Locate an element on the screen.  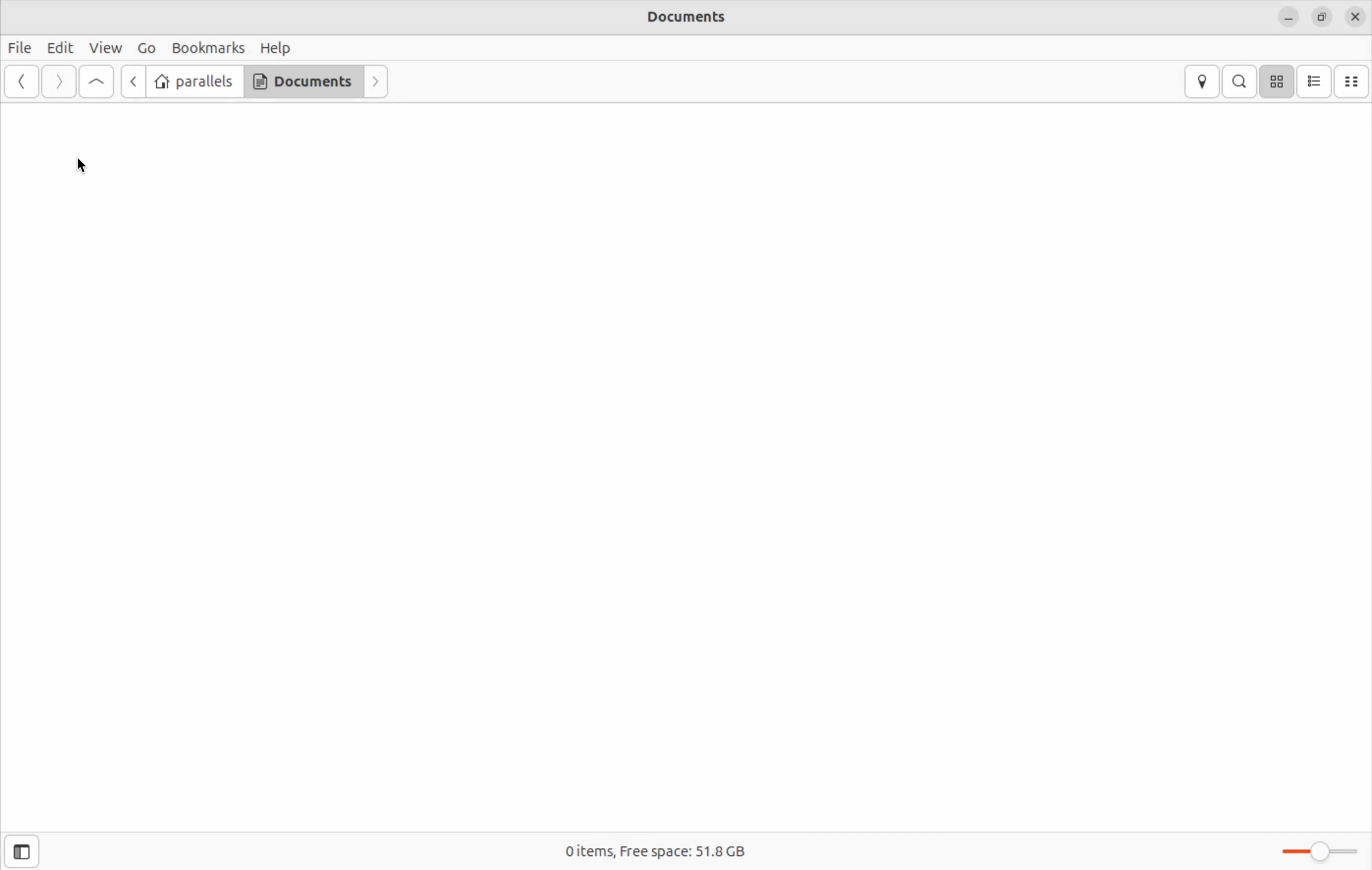
cursor is located at coordinates (88, 166).